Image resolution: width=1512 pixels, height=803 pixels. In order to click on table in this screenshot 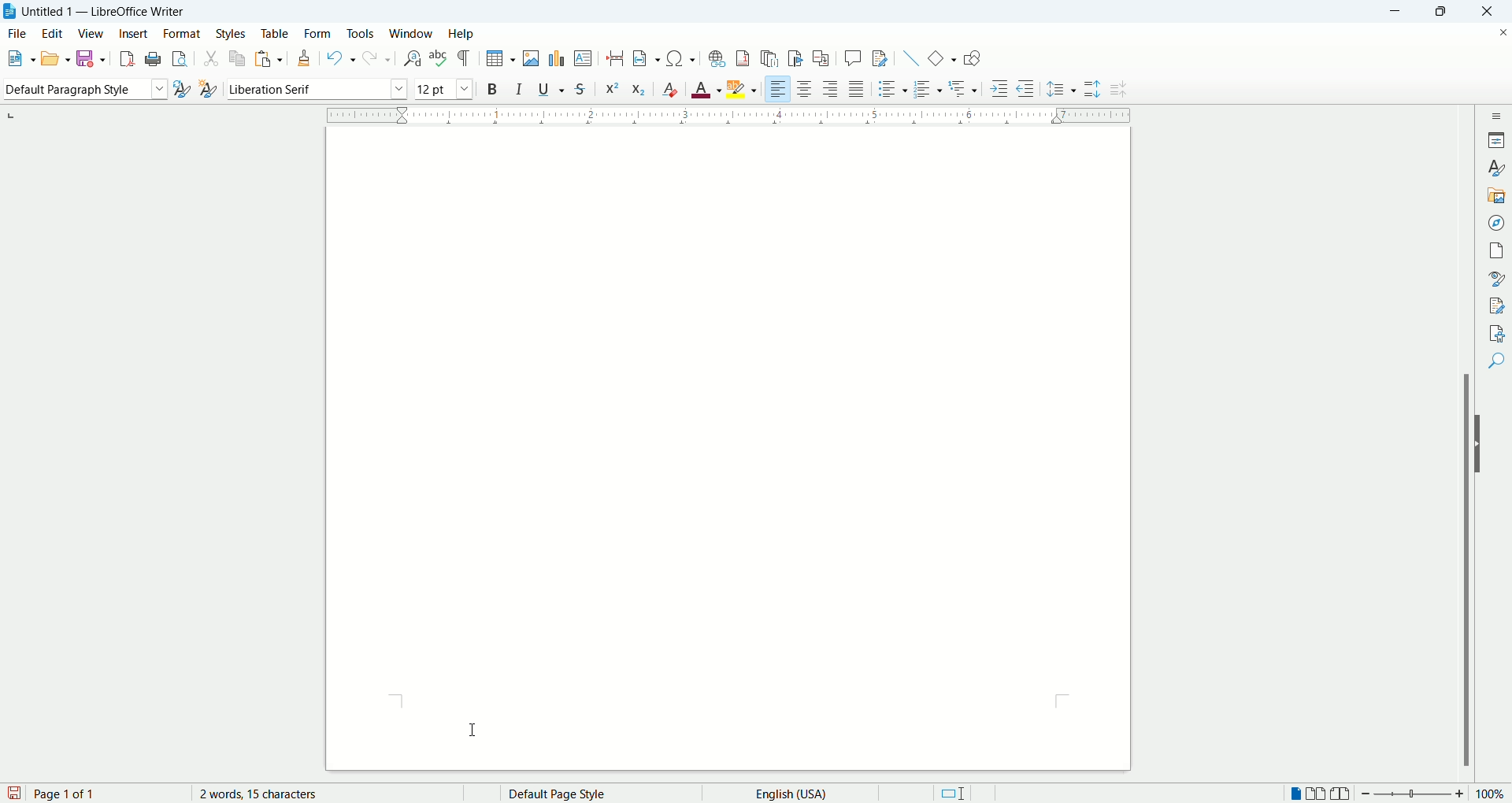, I will do `click(275, 31)`.